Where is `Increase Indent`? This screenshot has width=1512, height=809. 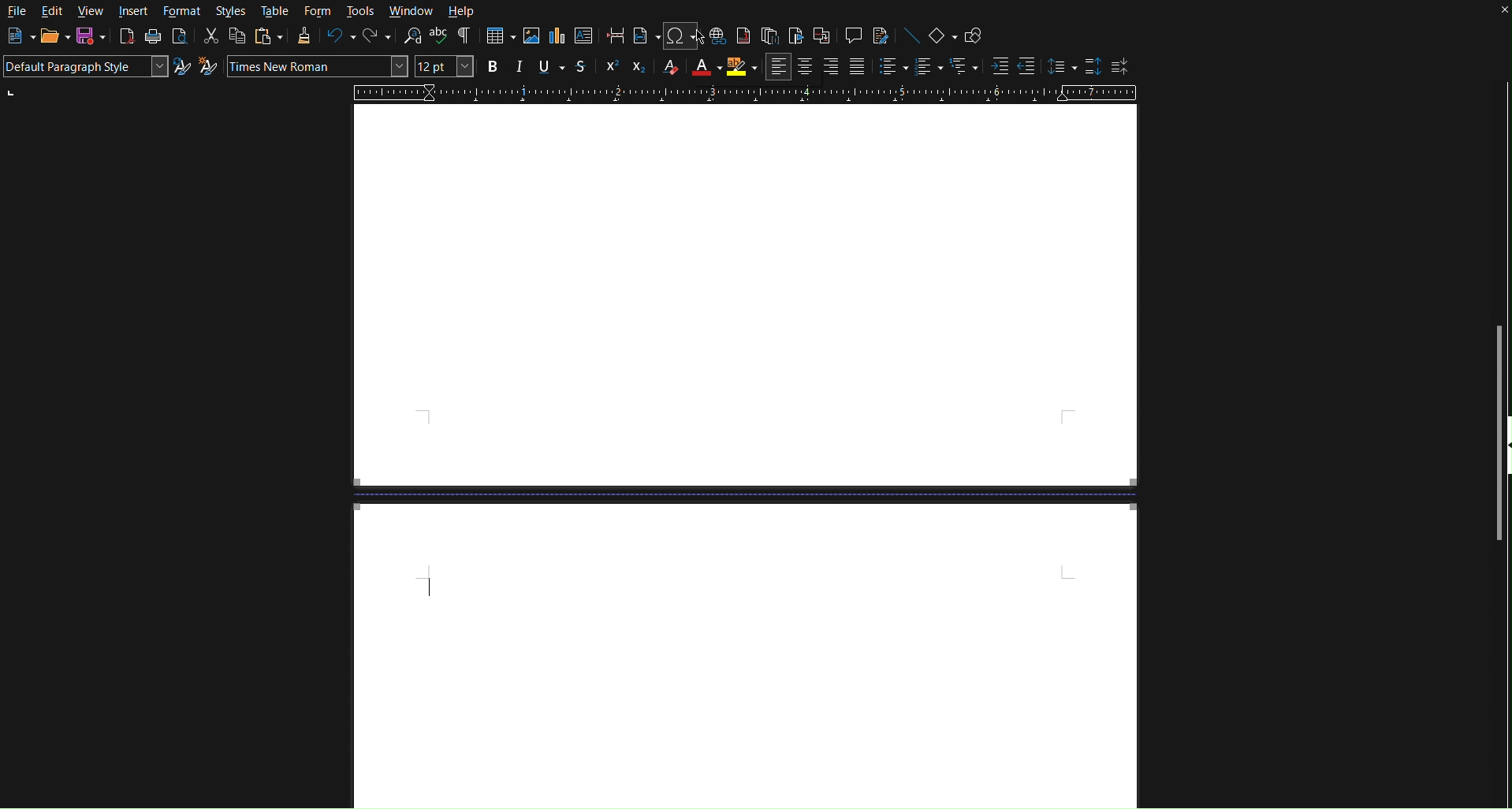 Increase Indent is located at coordinates (997, 66).